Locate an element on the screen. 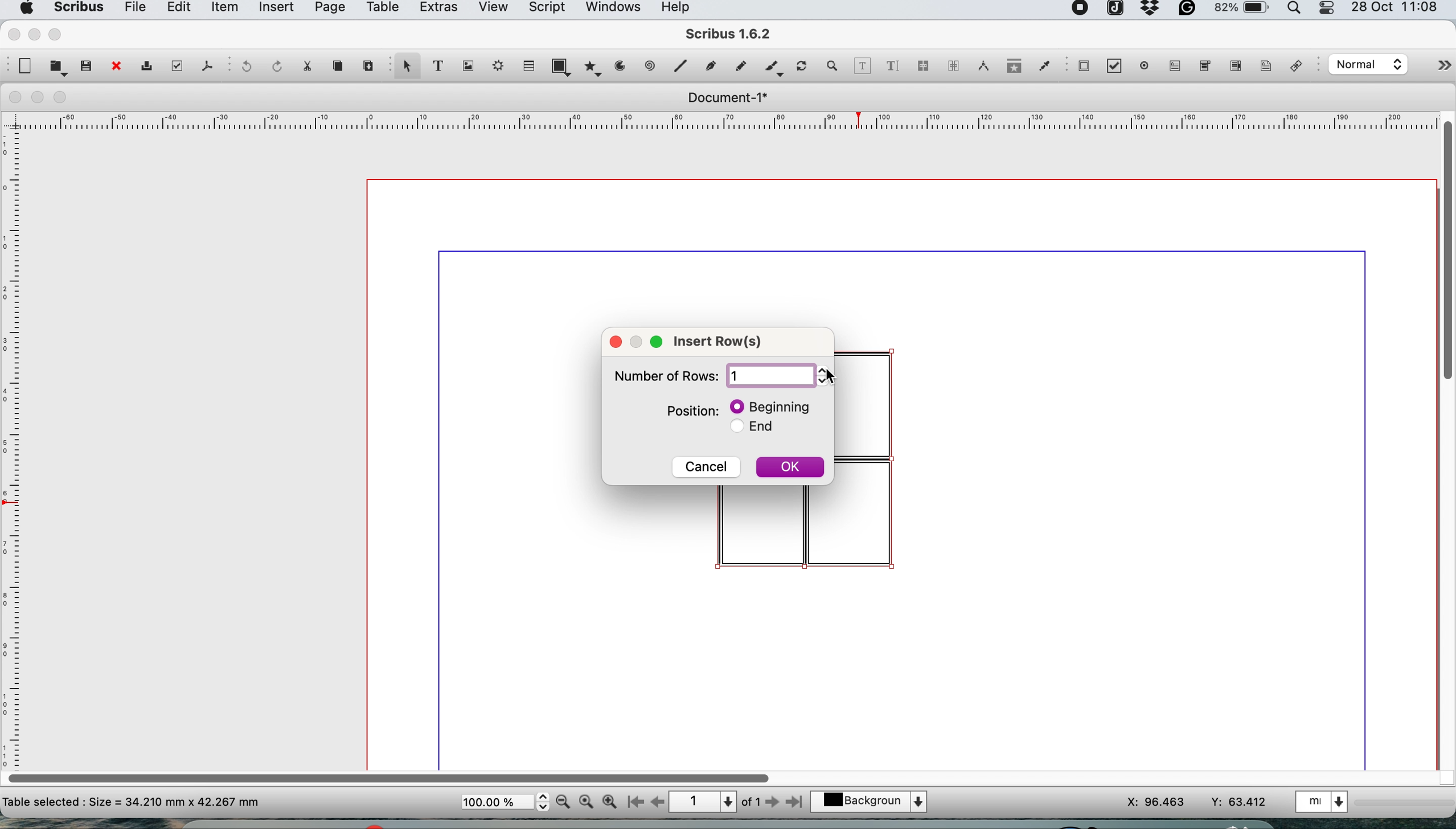 The width and height of the screenshot is (1456, 829). minimise is located at coordinates (34, 34).